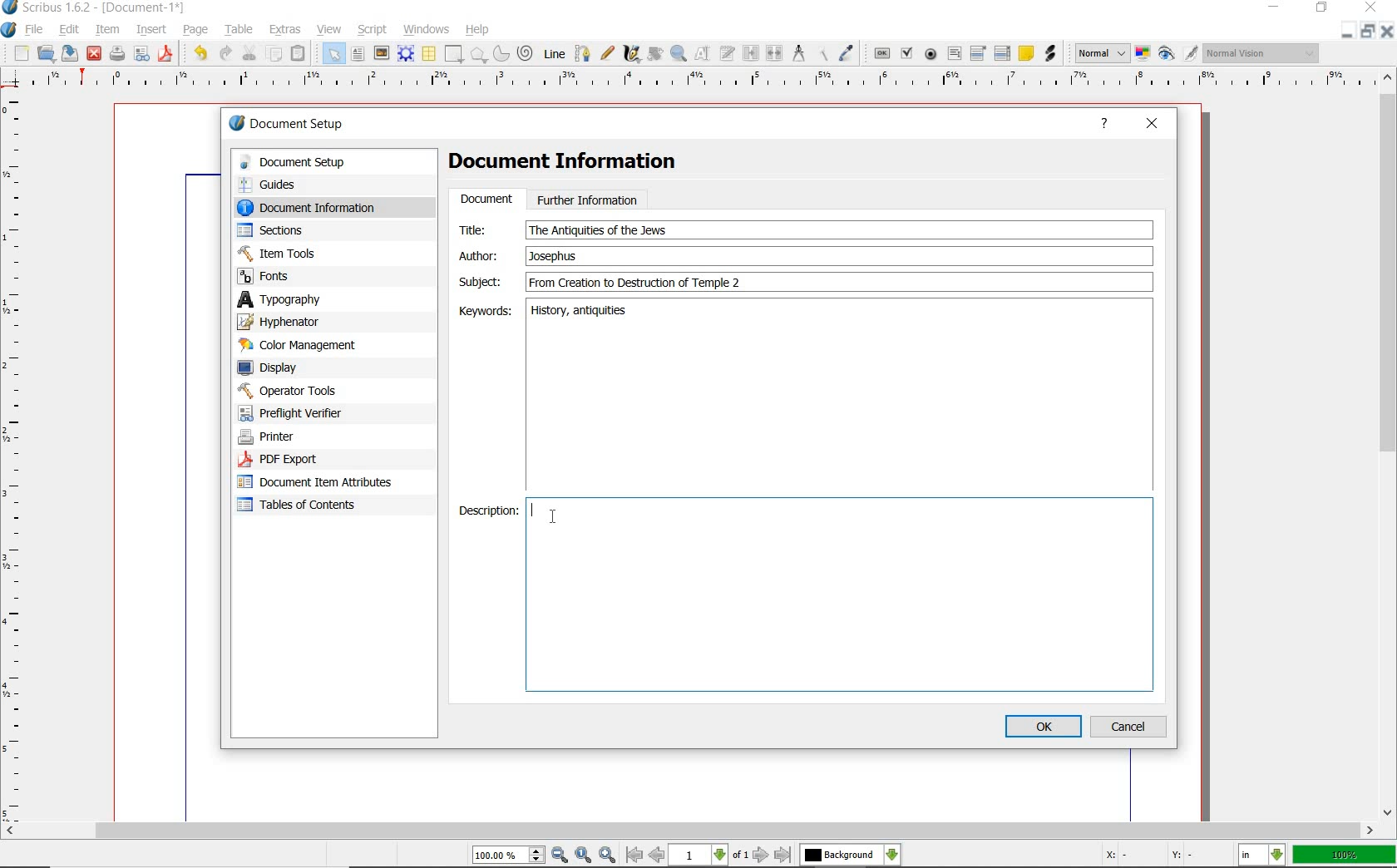 Image resolution: width=1397 pixels, height=868 pixels. Describe the element at coordinates (797, 53) in the screenshot. I see `measurements` at that location.